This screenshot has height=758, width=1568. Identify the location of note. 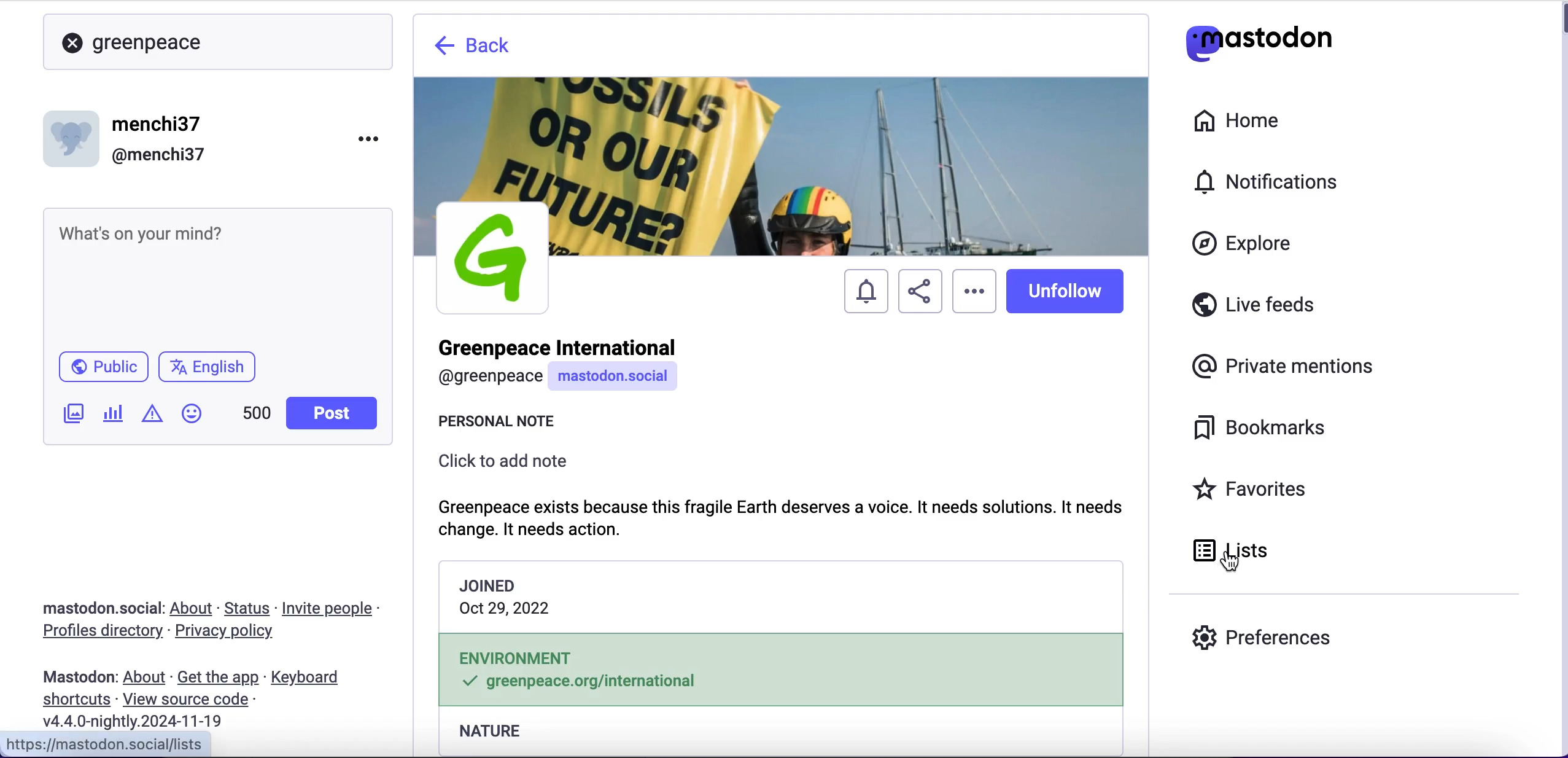
(781, 517).